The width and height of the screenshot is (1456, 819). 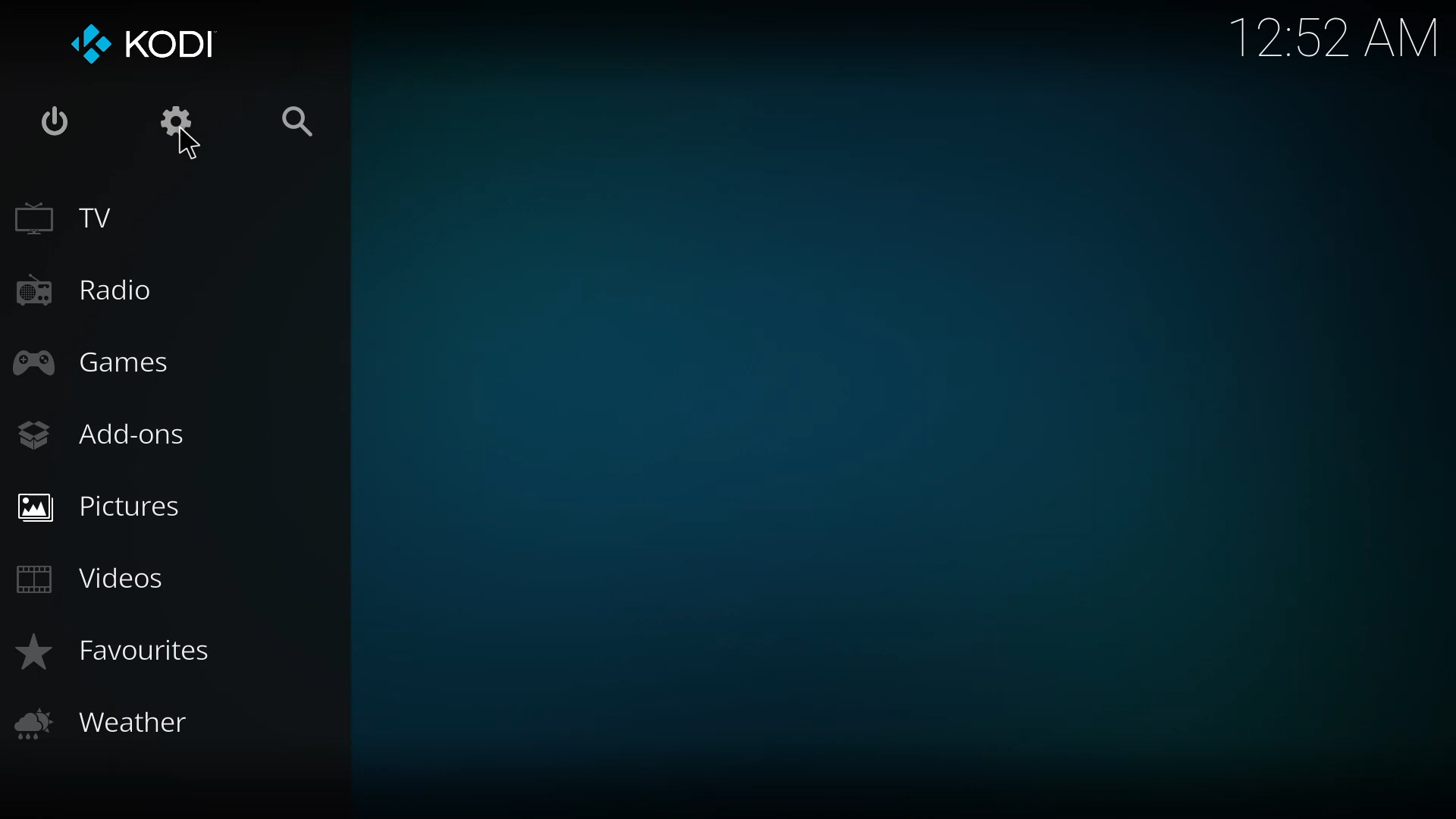 What do you see at coordinates (56, 124) in the screenshot?
I see `power` at bounding box center [56, 124].